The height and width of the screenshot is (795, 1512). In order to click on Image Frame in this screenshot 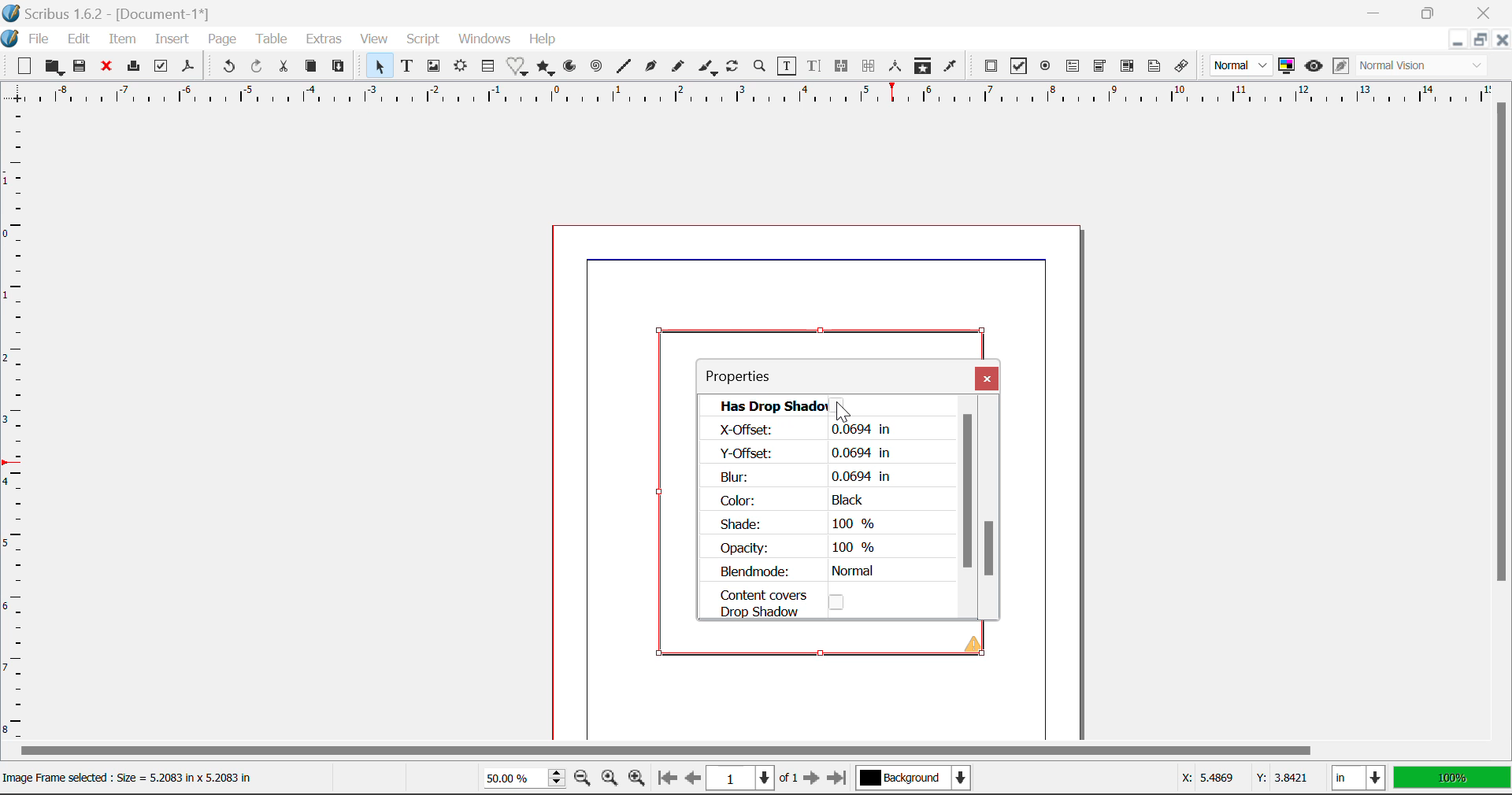, I will do `click(435, 68)`.